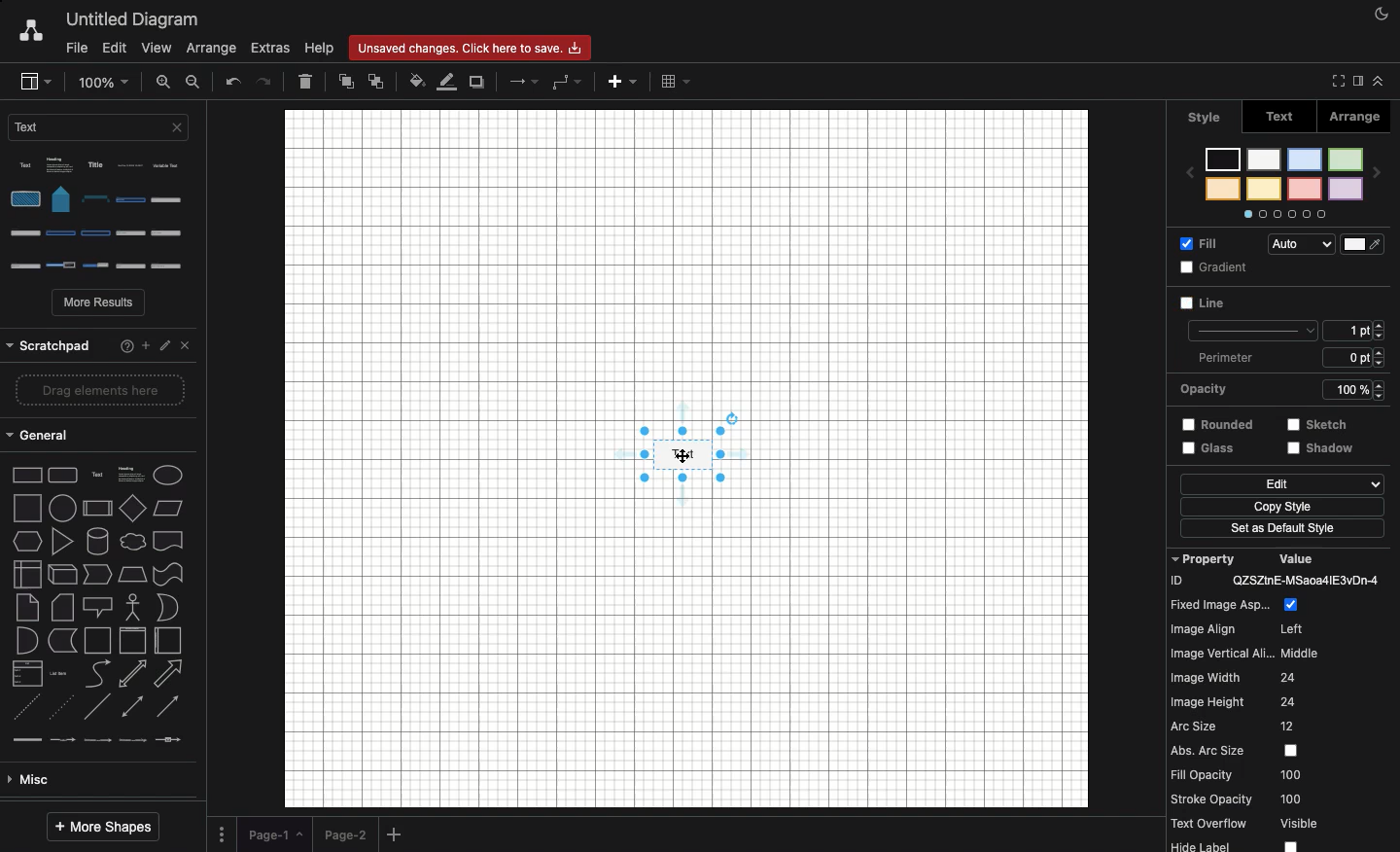  Describe the element at coordinates (94, 639) in the screenshot. I see `Advanced` at that location.